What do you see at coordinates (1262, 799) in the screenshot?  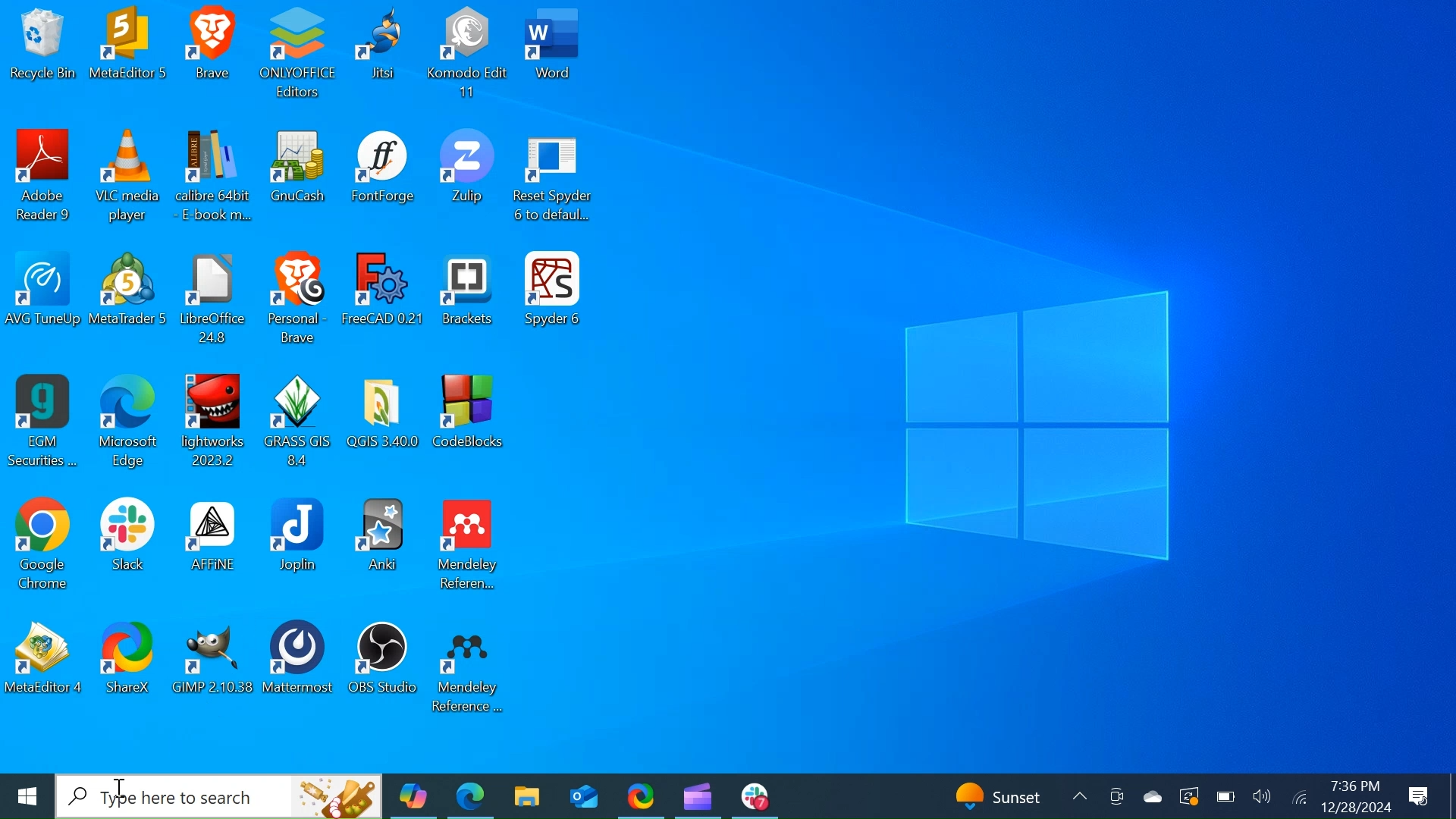 I see `Speaker` at bounding box center [1262, 799].